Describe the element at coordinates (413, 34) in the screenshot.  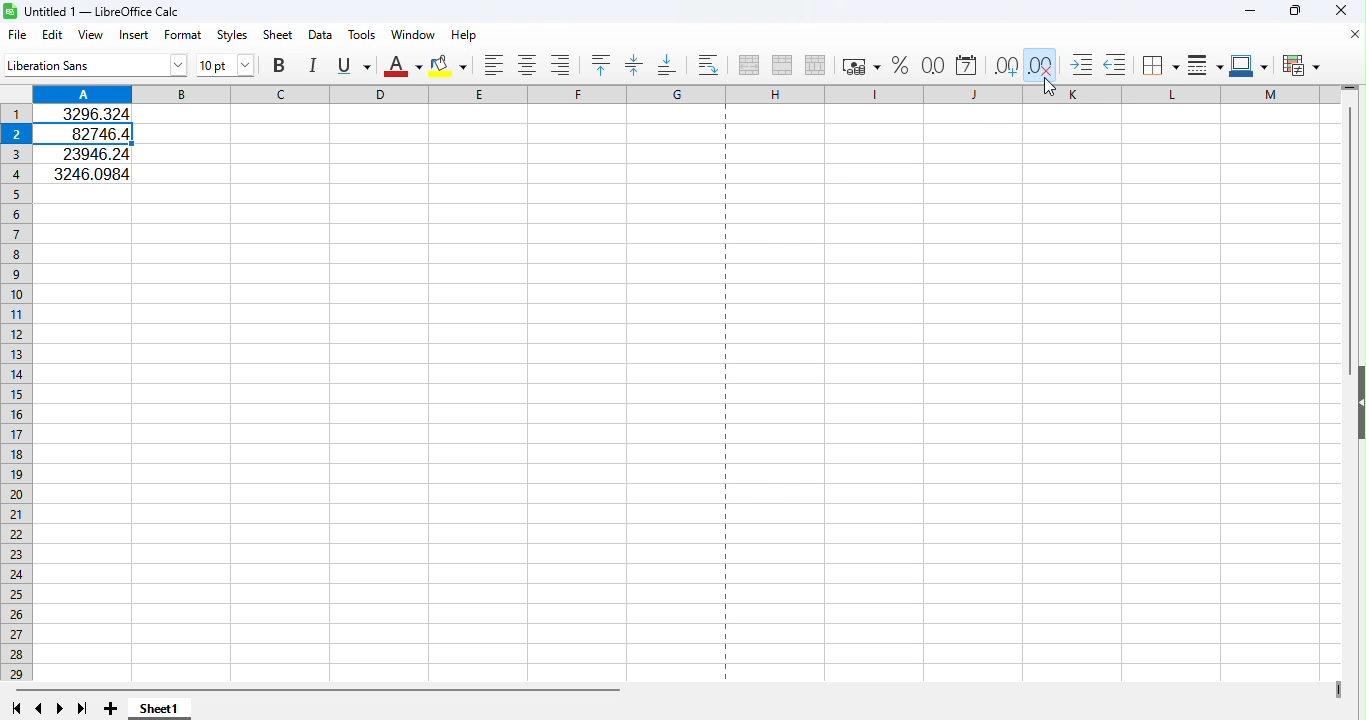
I see `Window` at that location.